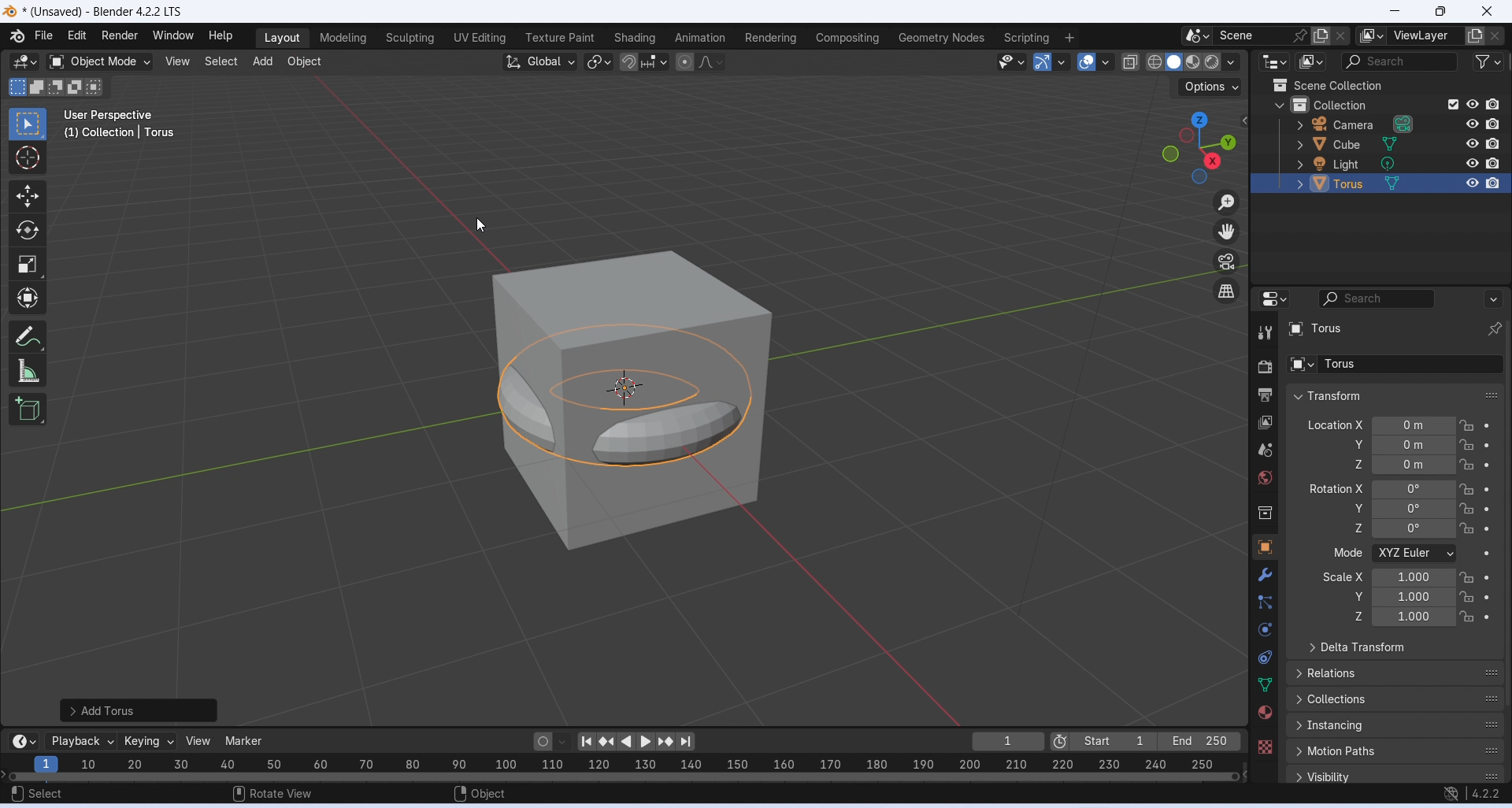  I want to click on Rotation X axis, so click(1336, 487).